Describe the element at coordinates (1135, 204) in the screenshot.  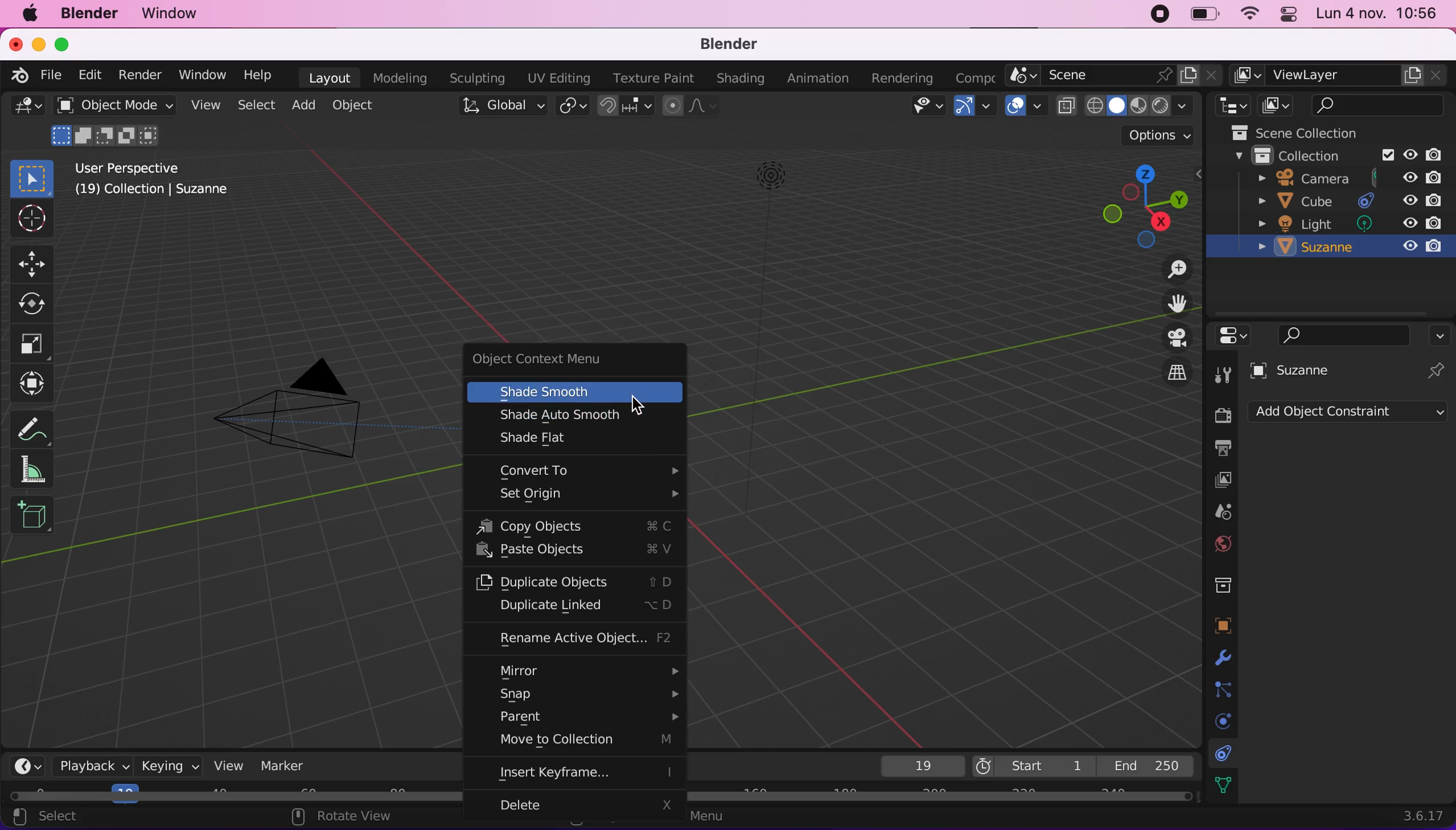
I see `click, shortcut and drag` at that location.